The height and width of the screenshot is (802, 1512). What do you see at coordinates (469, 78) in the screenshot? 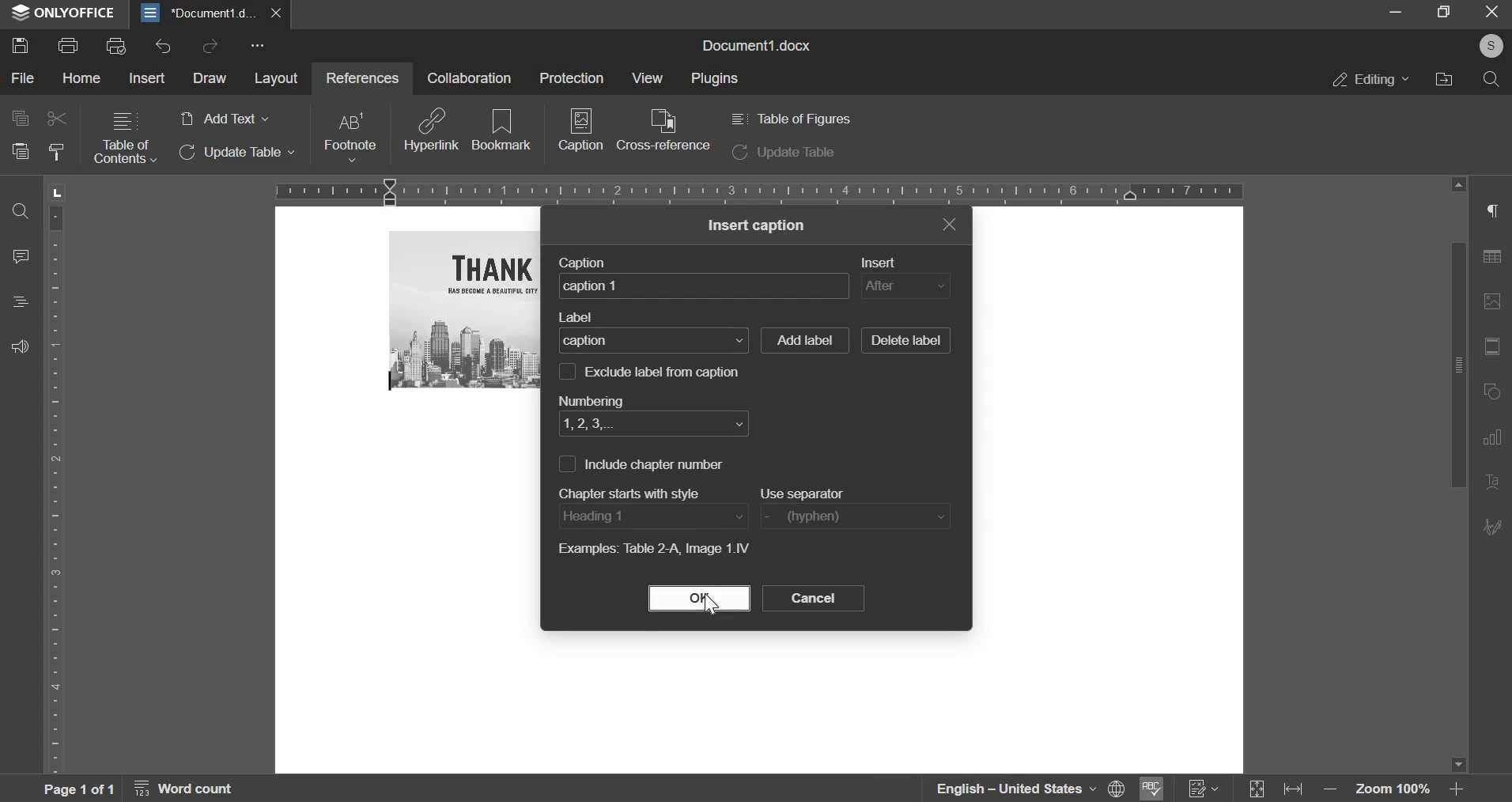
I see `collaboration` at bounding box center [469, 78].